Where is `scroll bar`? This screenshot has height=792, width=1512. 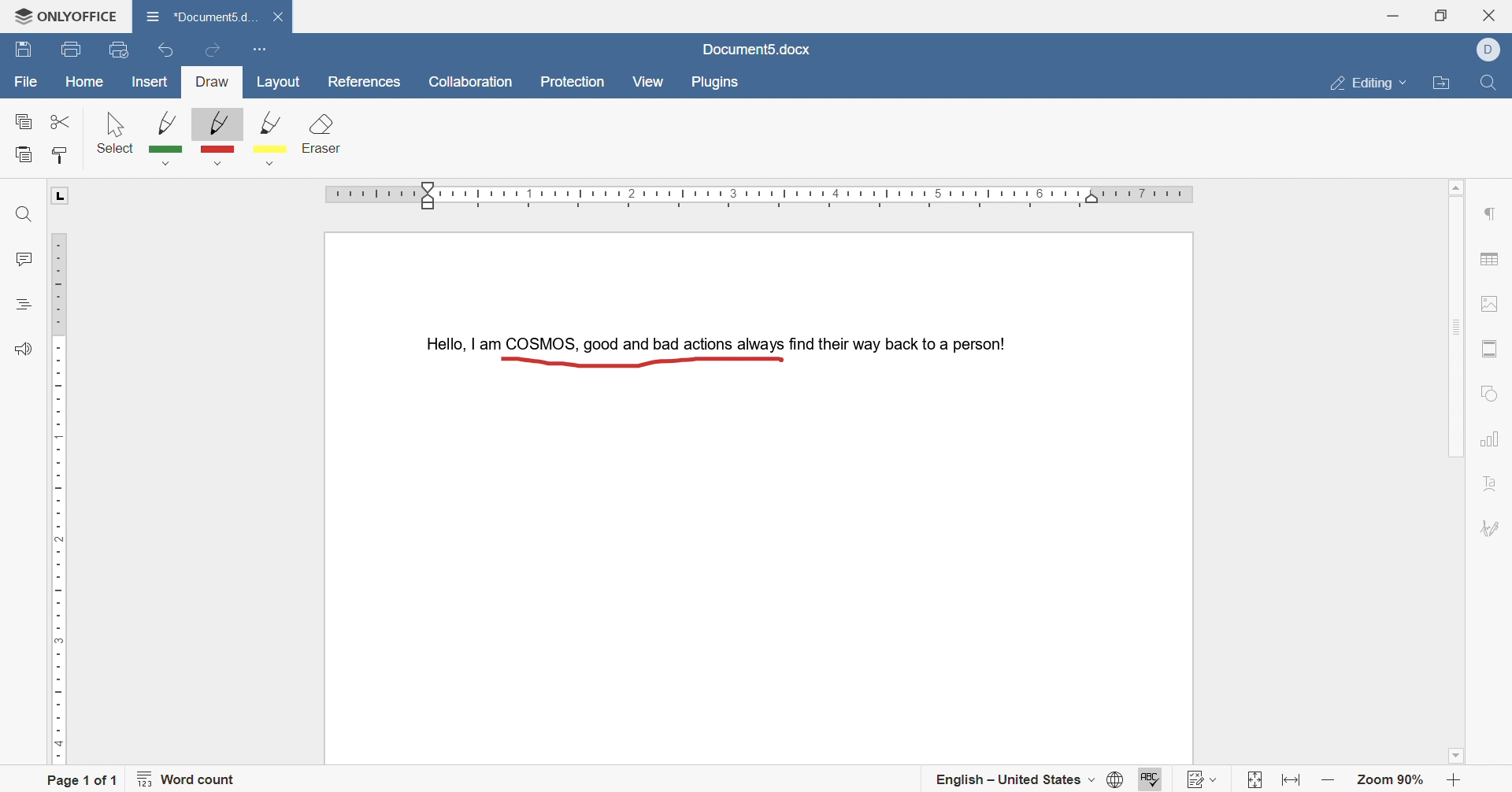 scroll bar is located at coordinates (1455, 324).